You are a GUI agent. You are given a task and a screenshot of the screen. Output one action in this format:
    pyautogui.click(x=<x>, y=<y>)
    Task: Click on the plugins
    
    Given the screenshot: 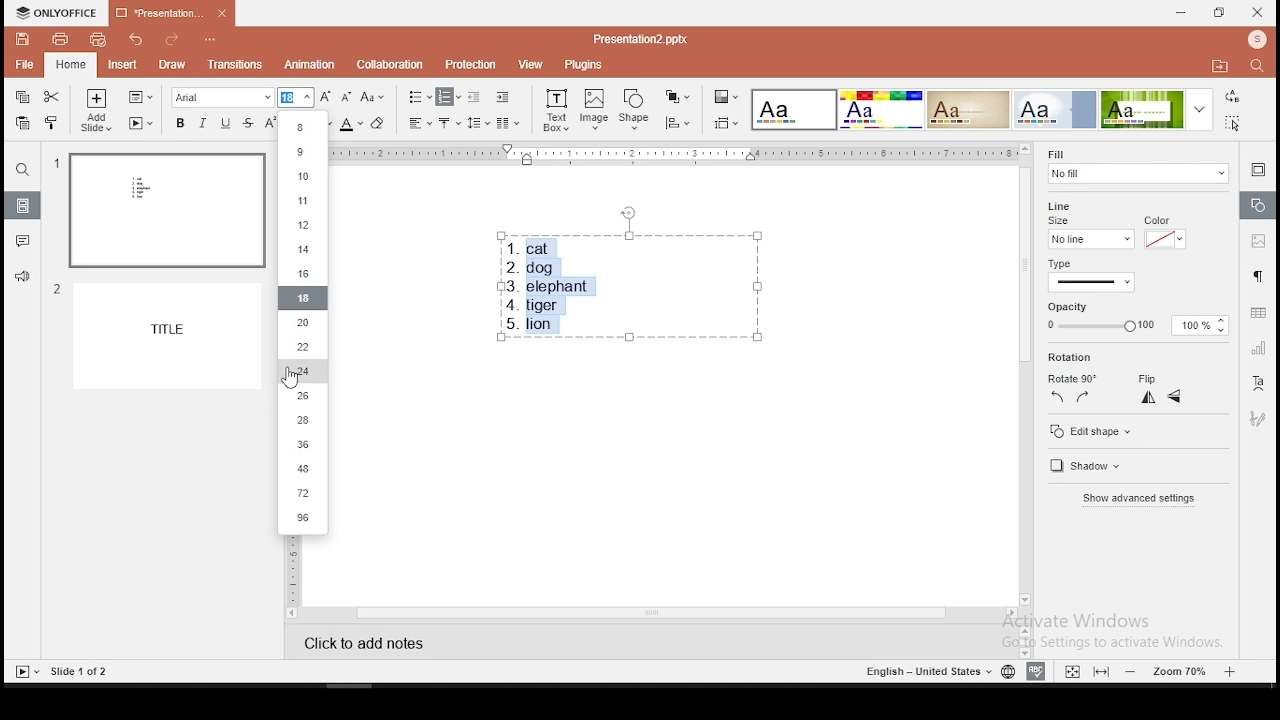 What is the action you would take?
    pyautogui.click(x=584, y=65)
    